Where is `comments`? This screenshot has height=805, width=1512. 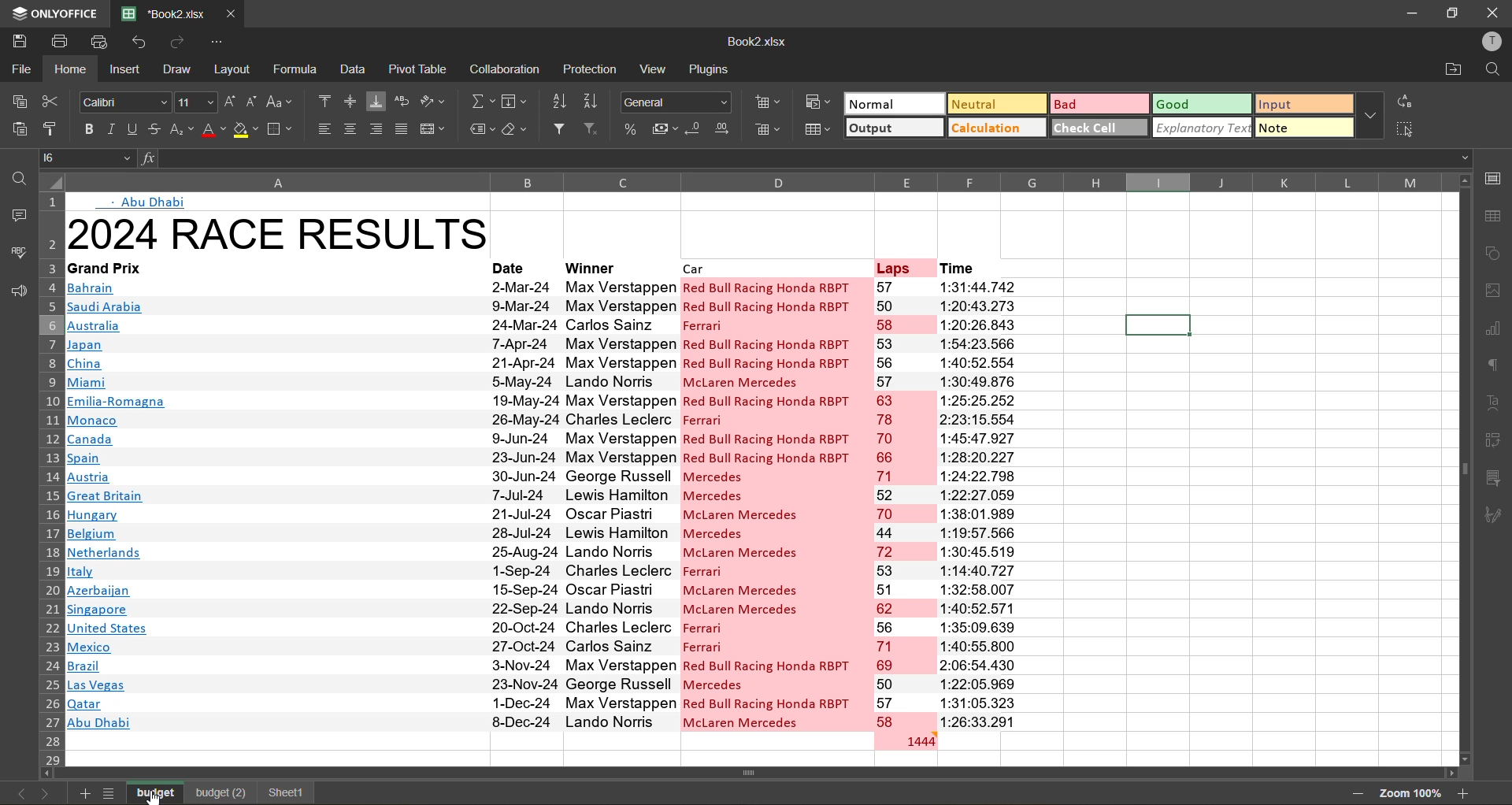 comments is located at coordinates (14, 215).